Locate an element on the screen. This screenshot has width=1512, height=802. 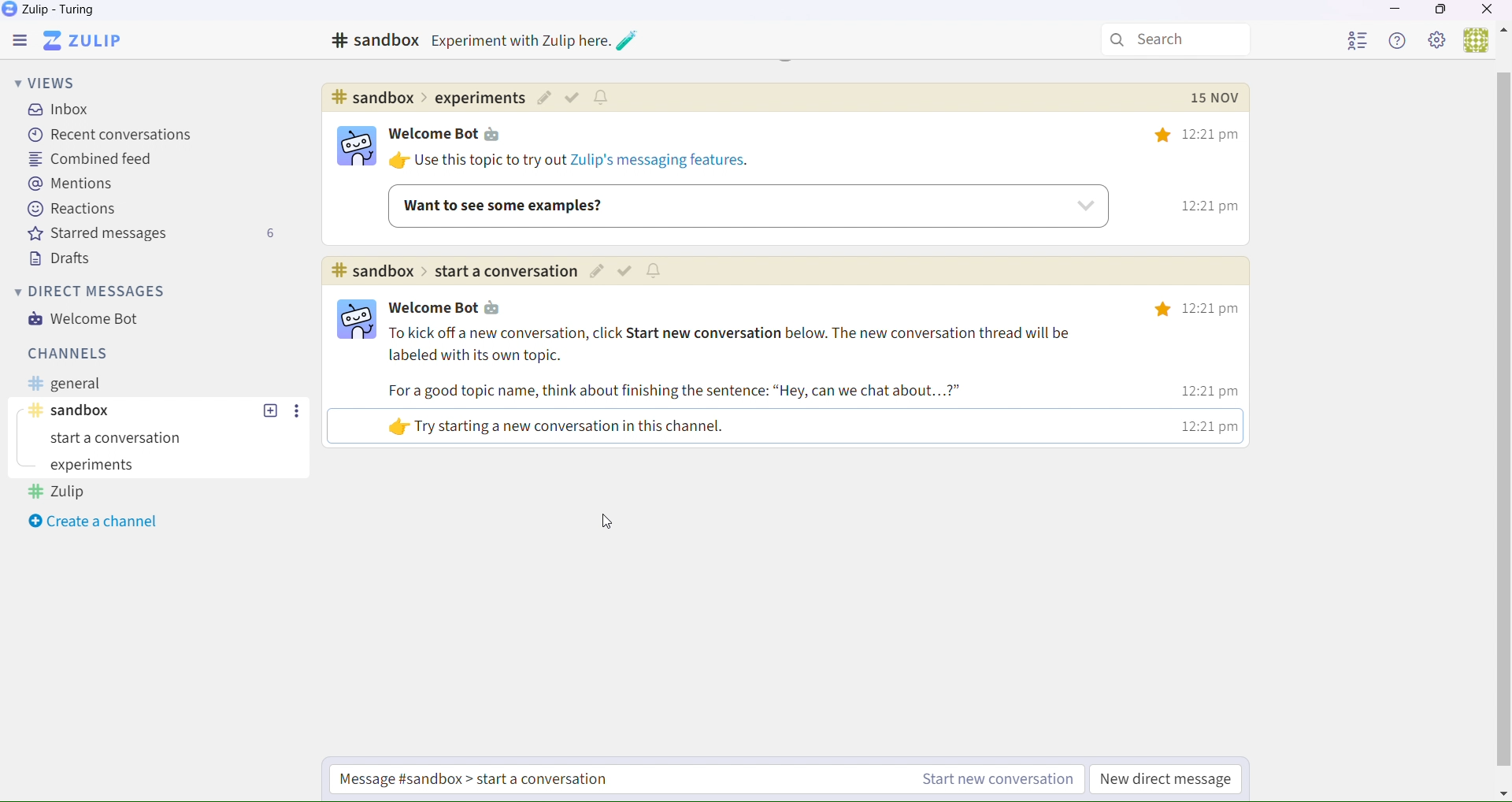
Settings is located at coordinates (1440, 42).